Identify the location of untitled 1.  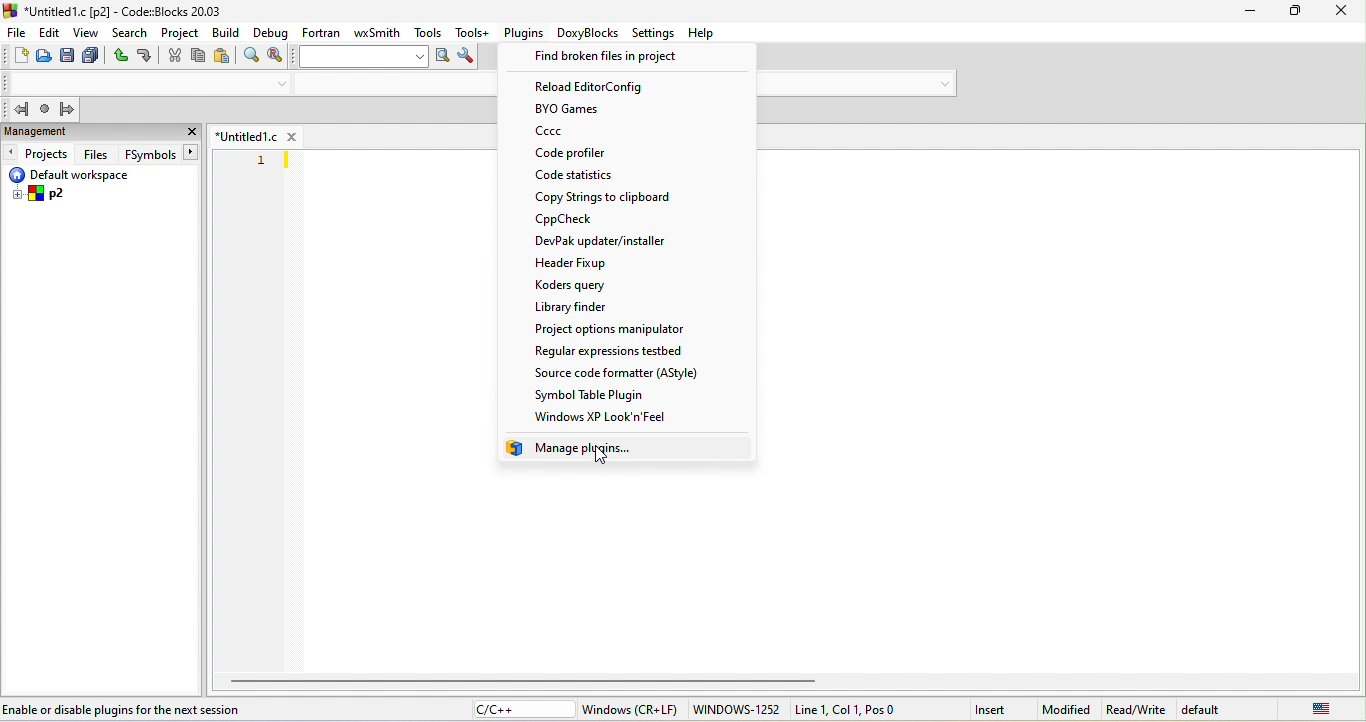
(257, 135).